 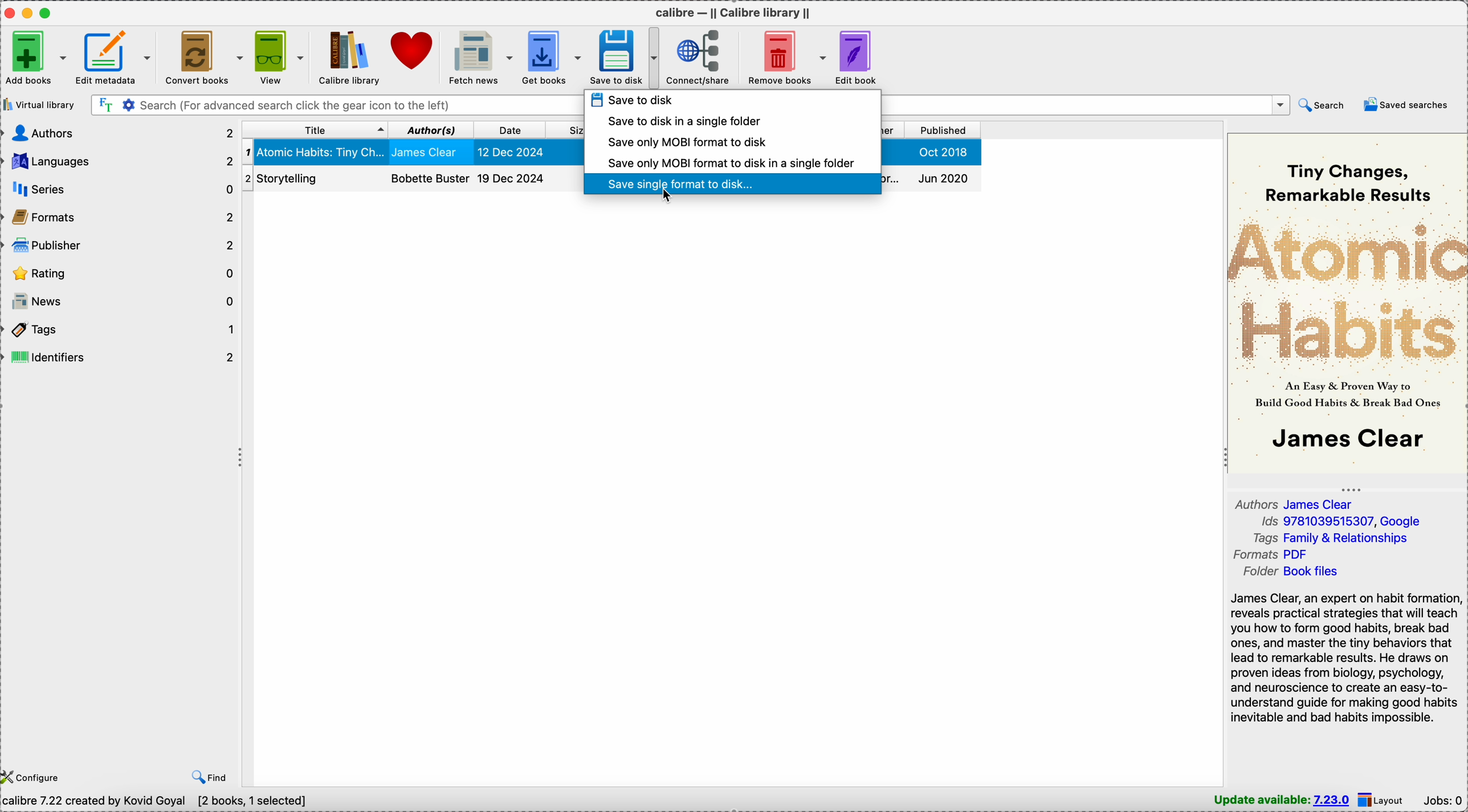 I want to click on configure, so click(x=34, y=776).